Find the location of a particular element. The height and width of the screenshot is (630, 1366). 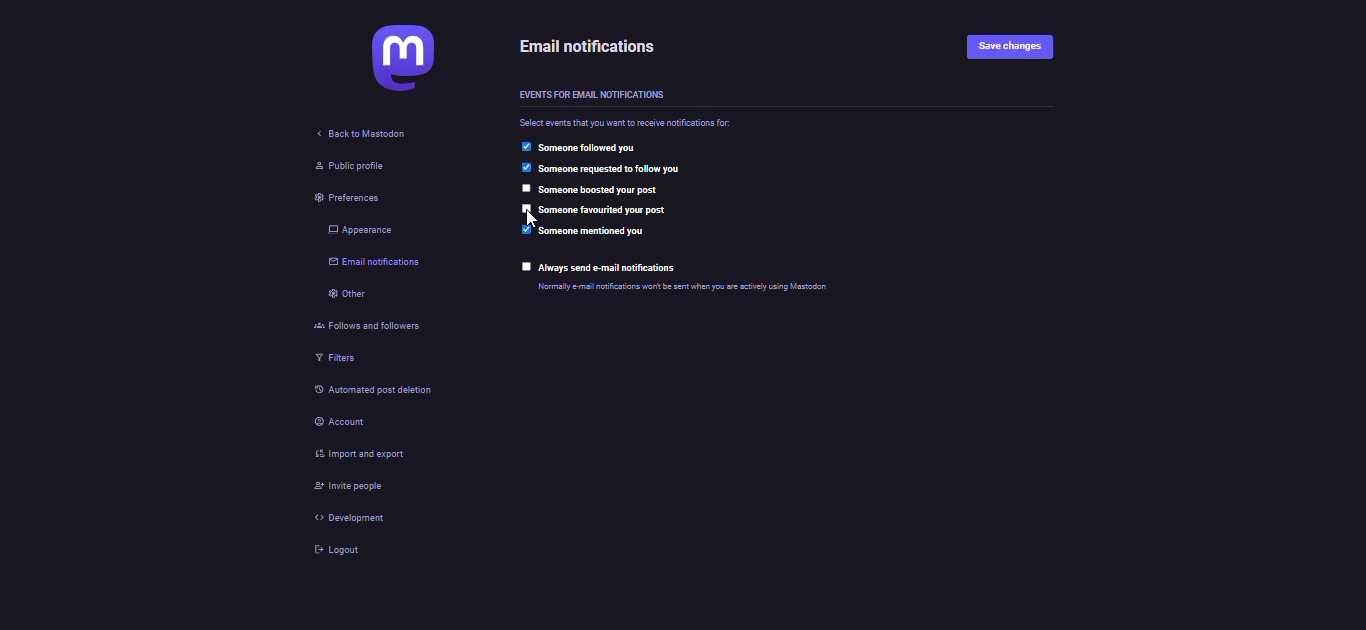

someone requested to follow you is located at coordinates (645, 169).